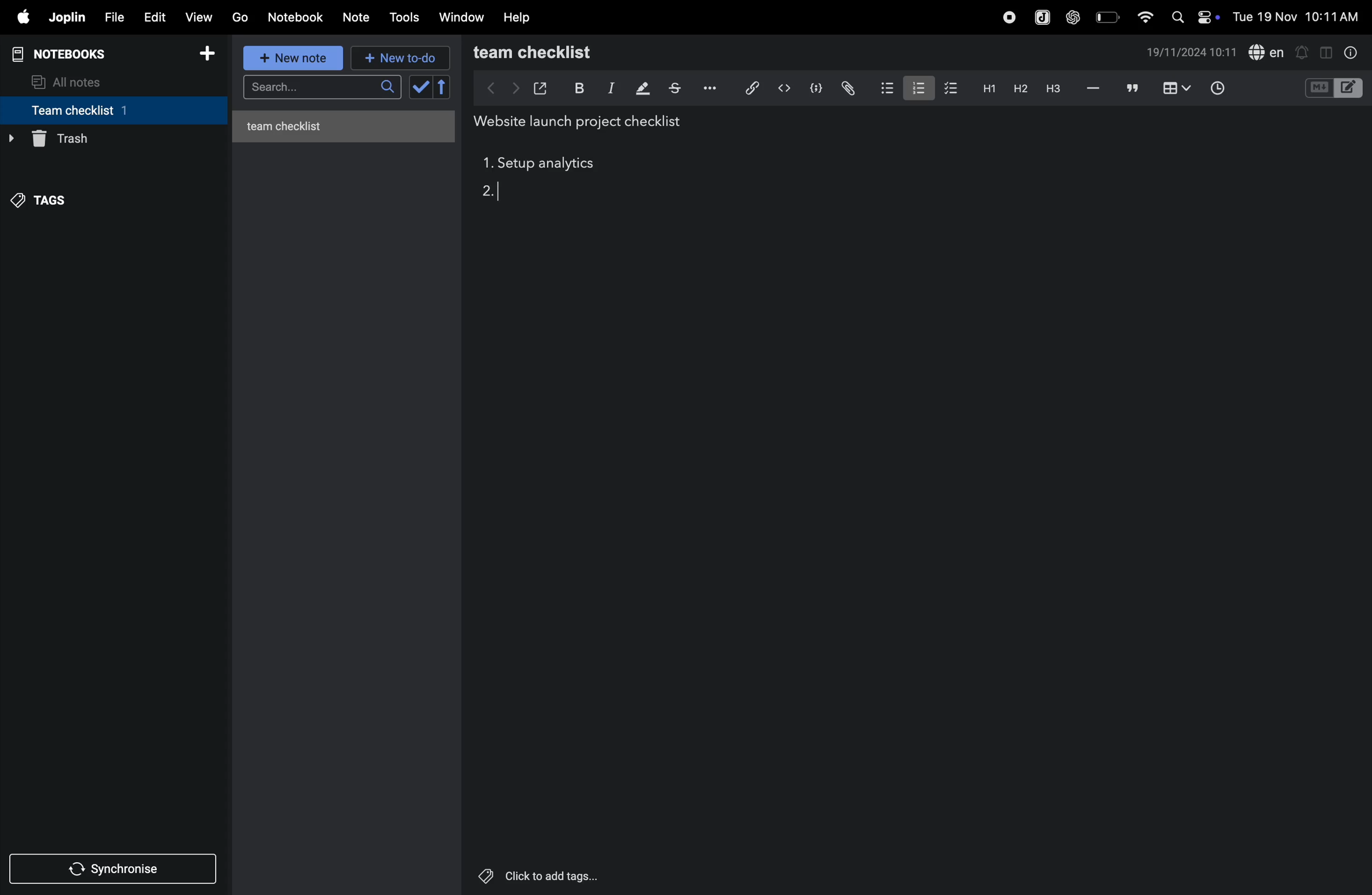 Image resolution: width=1372 pixels, height=895 pixels. Describe the element at coordinates (1177, 17) in the screenshot. I see `search` at that location.